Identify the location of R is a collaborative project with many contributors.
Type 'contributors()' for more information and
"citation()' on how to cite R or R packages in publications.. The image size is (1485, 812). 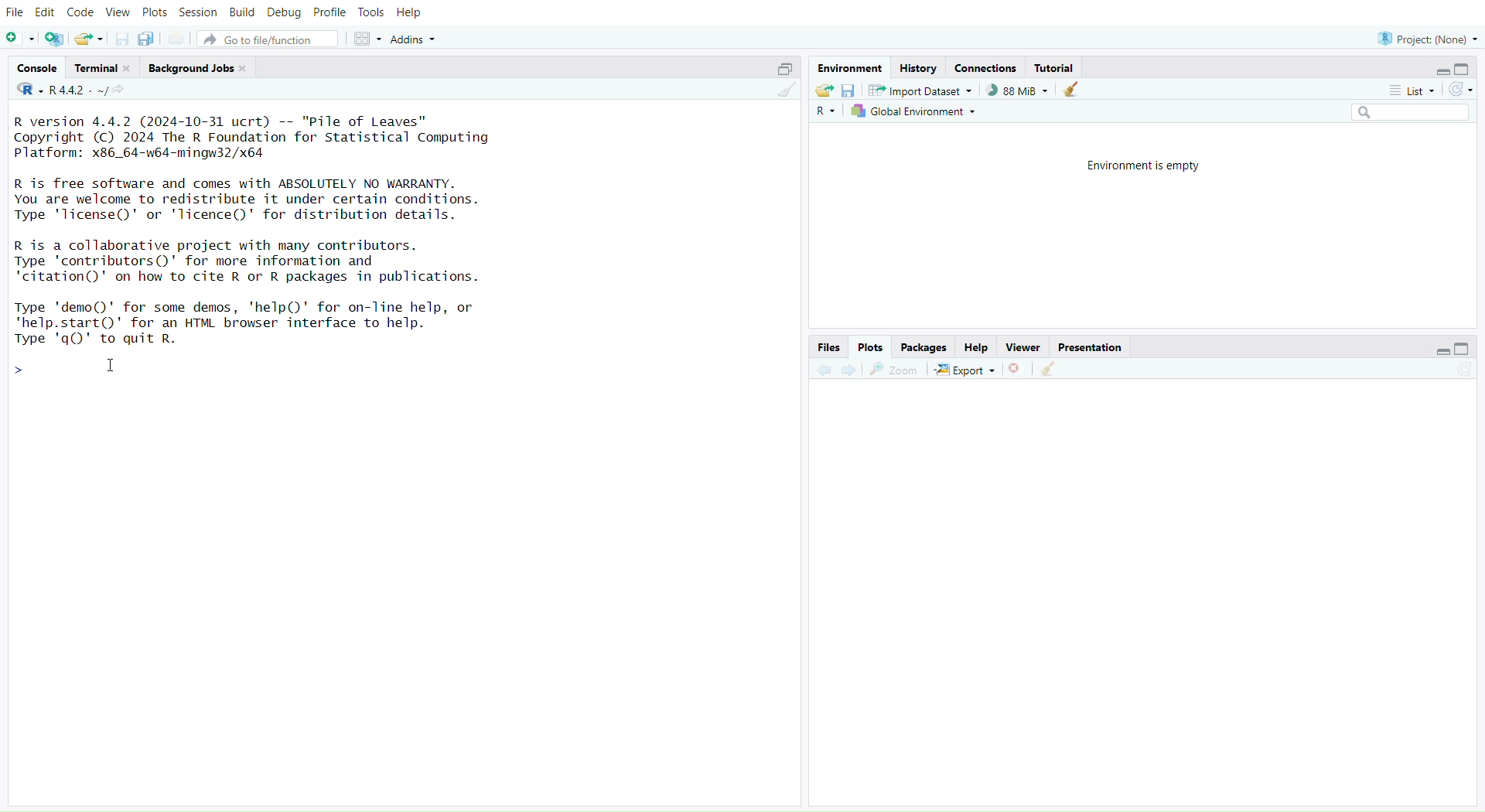
(294, 263).